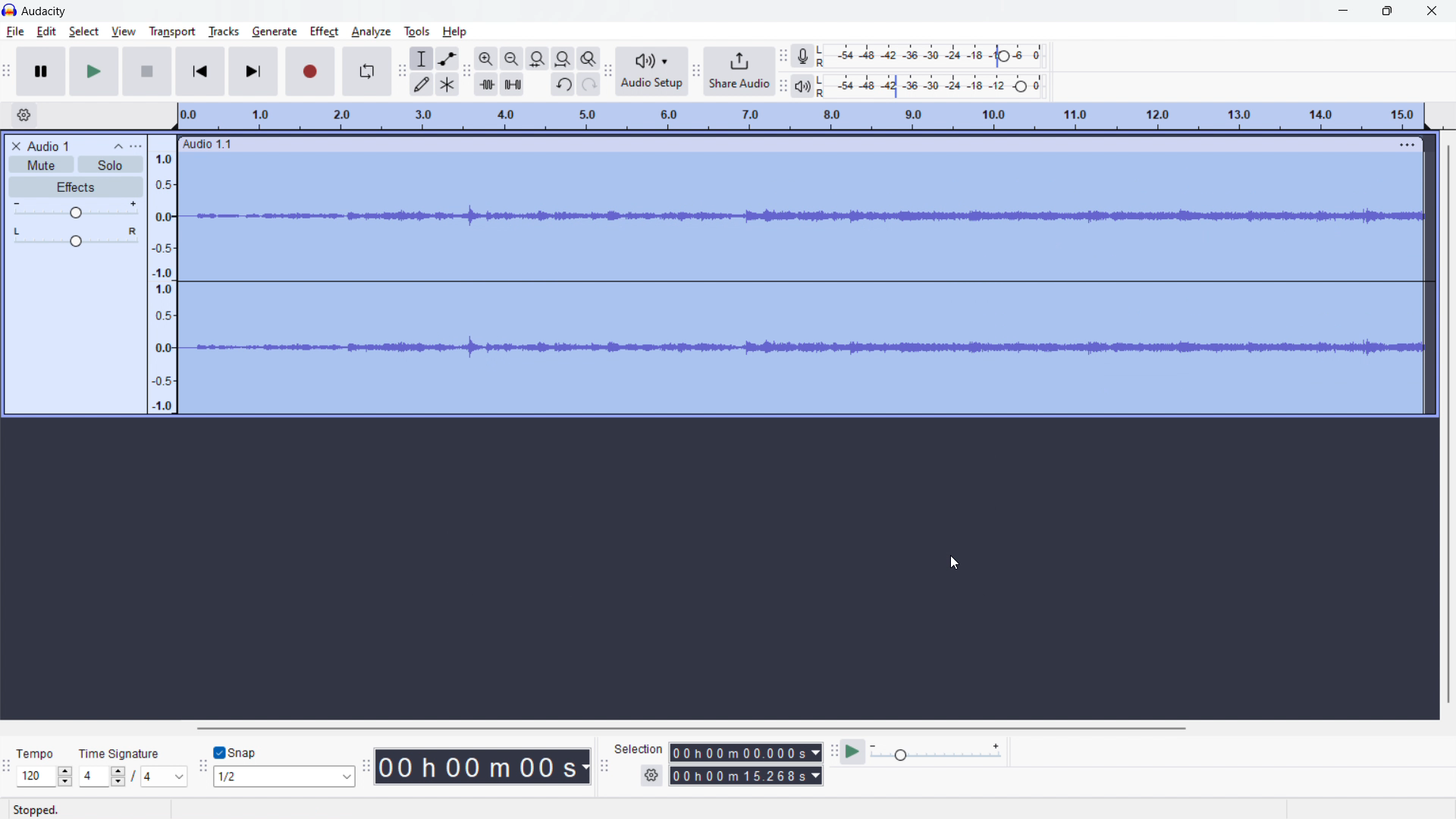 The height and width of the screenshot is (819, 1456). What do you see at coordinates (41, 71) in the screenshot?
I see `pause` at bounding box center [41, 71].